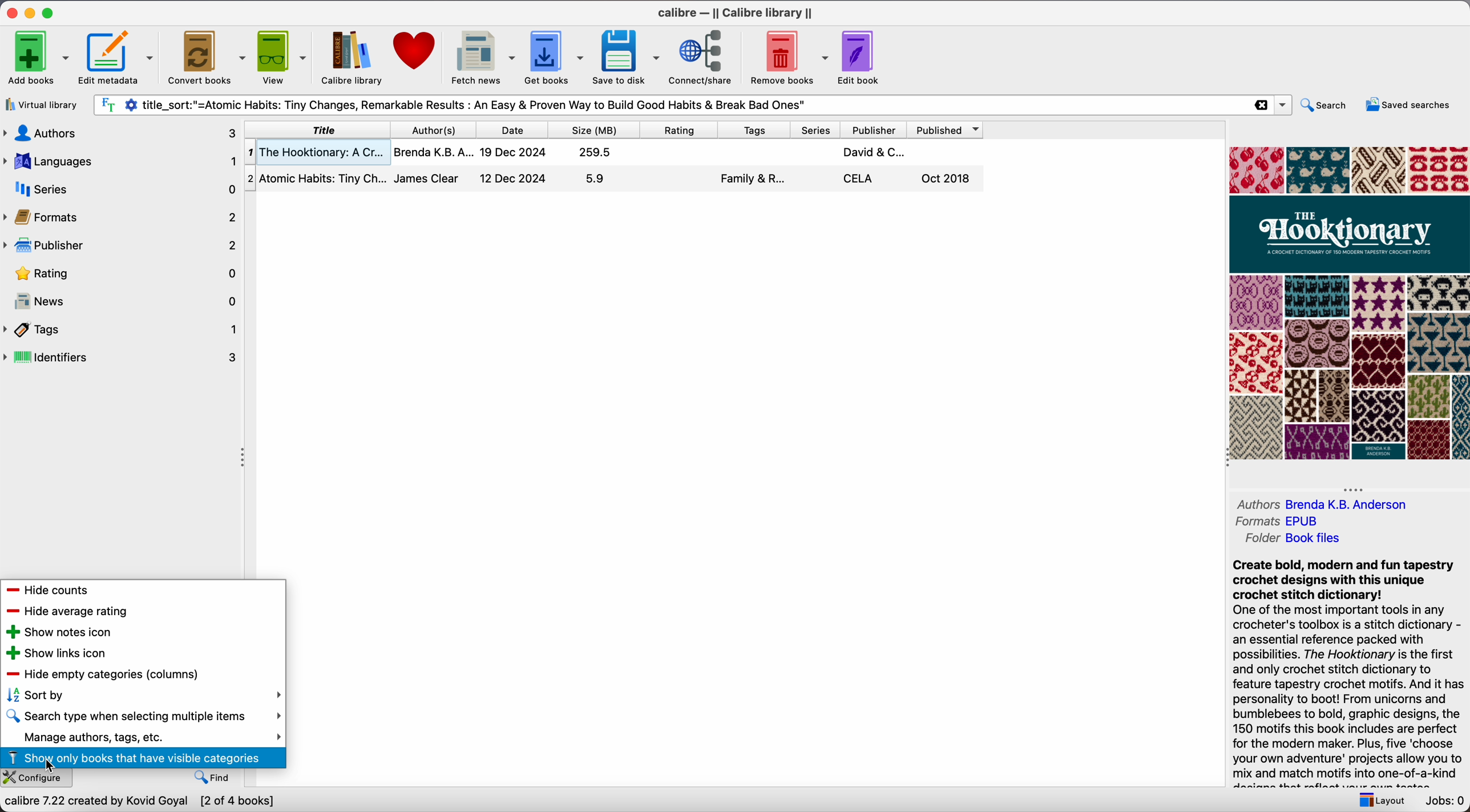 This screenshot has width=1470, height=812. Describe the element at coordinates (681, 128) in the screenshot. I see `rating` at that location.